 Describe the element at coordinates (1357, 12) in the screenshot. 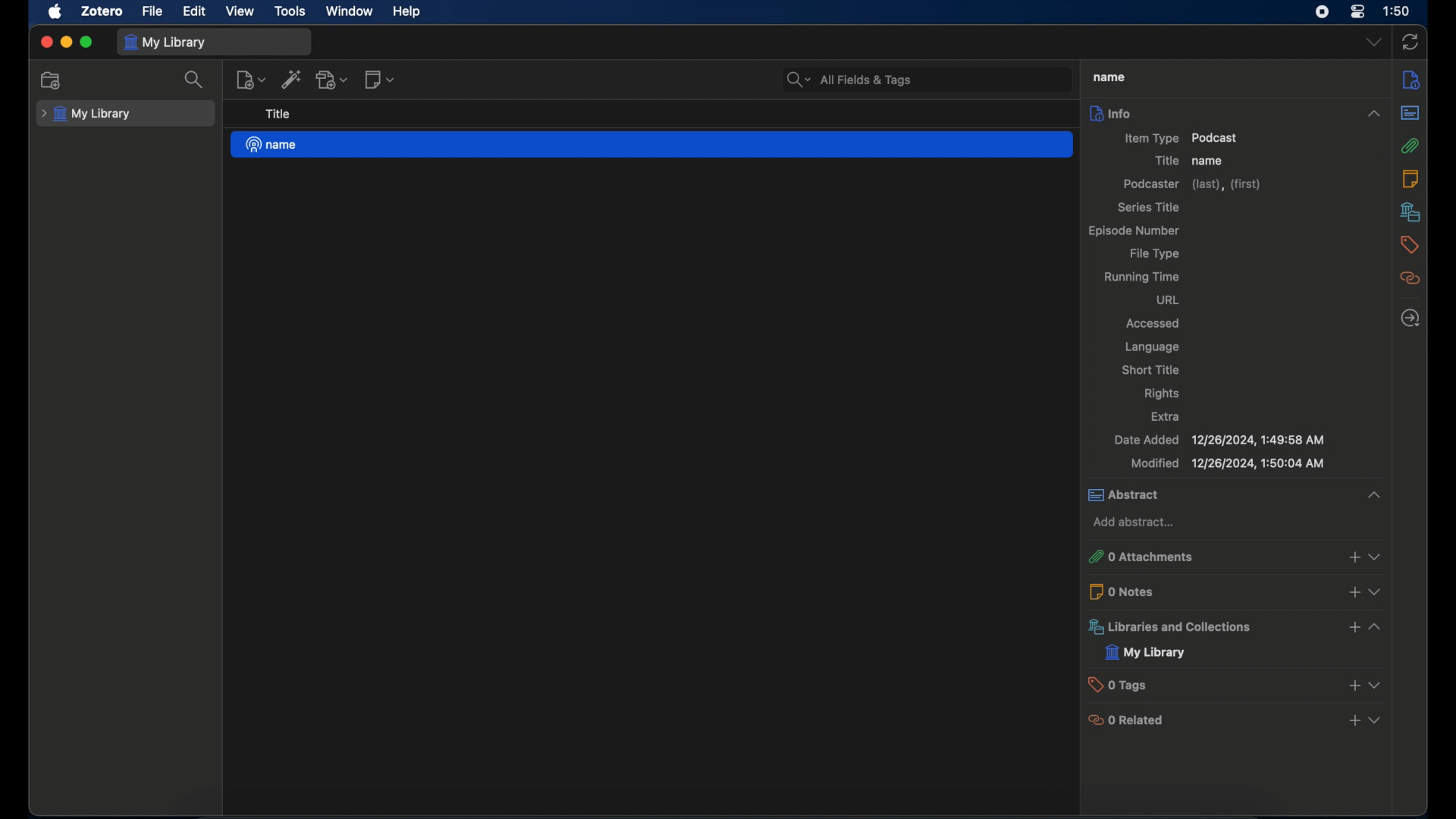

I see `control center` at that location.